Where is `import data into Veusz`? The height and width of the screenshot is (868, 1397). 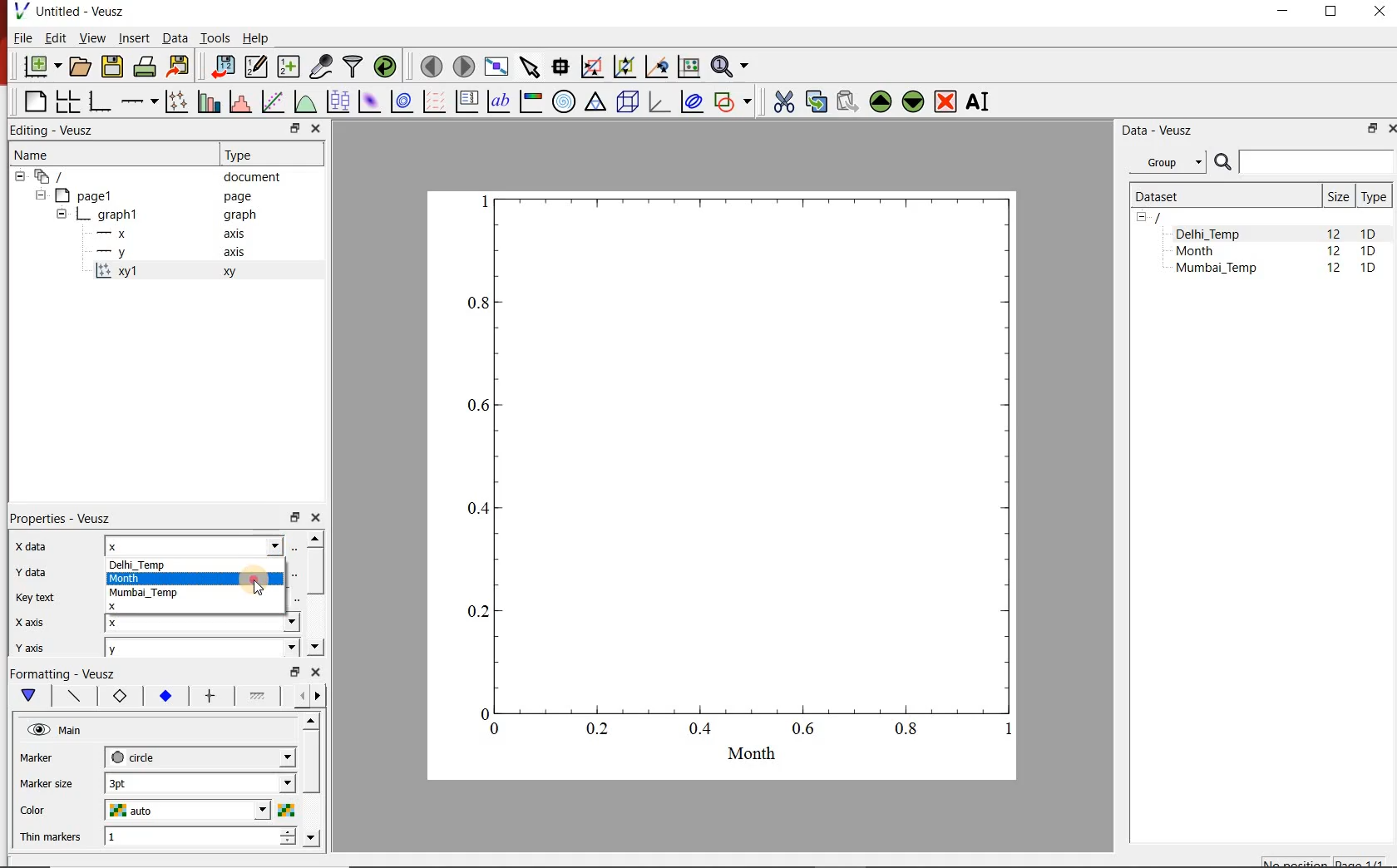
import data into Veusz is located at coordinates (221, 67).